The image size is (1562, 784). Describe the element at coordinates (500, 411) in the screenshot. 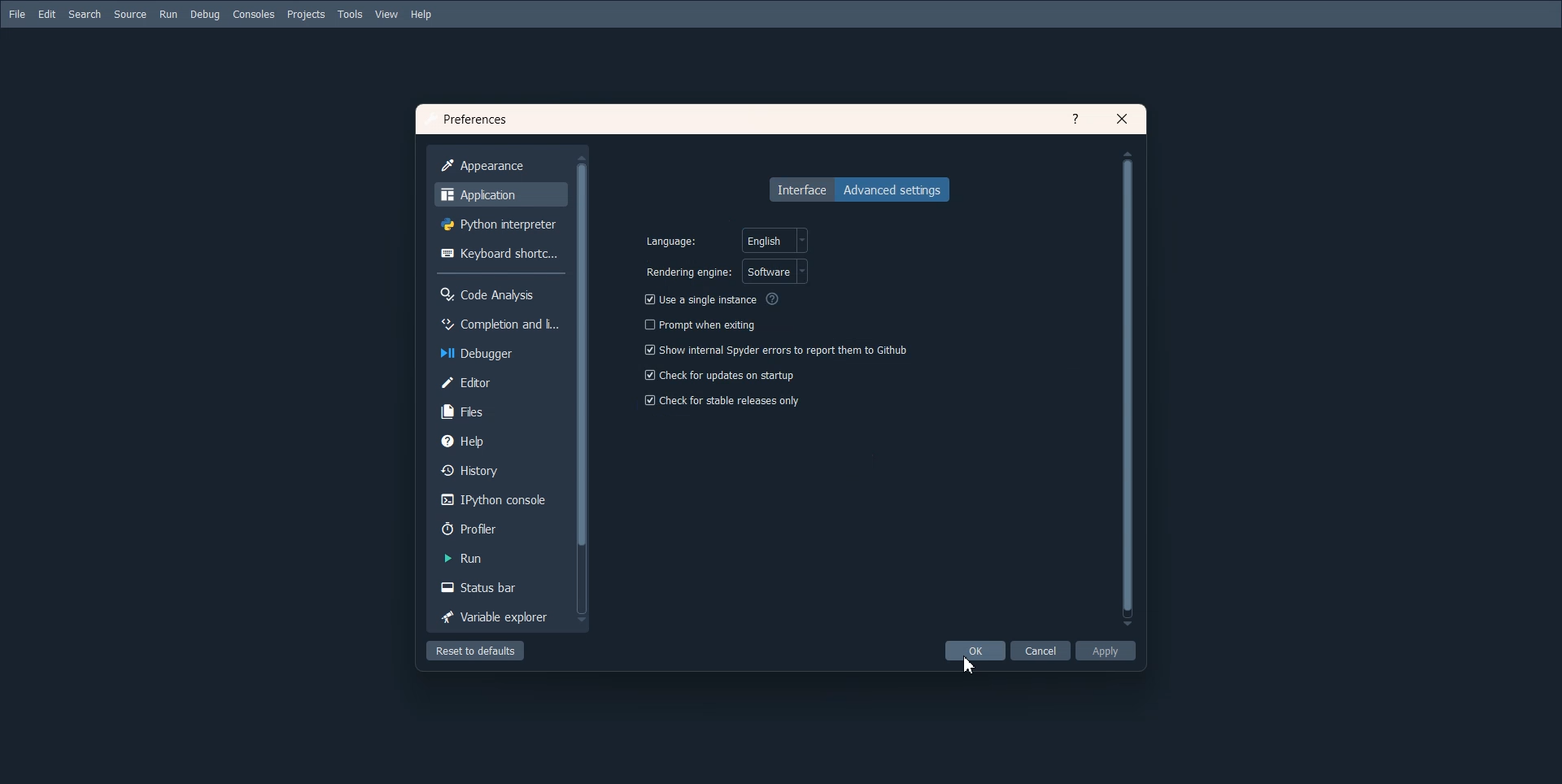

I see `Files` at that location.